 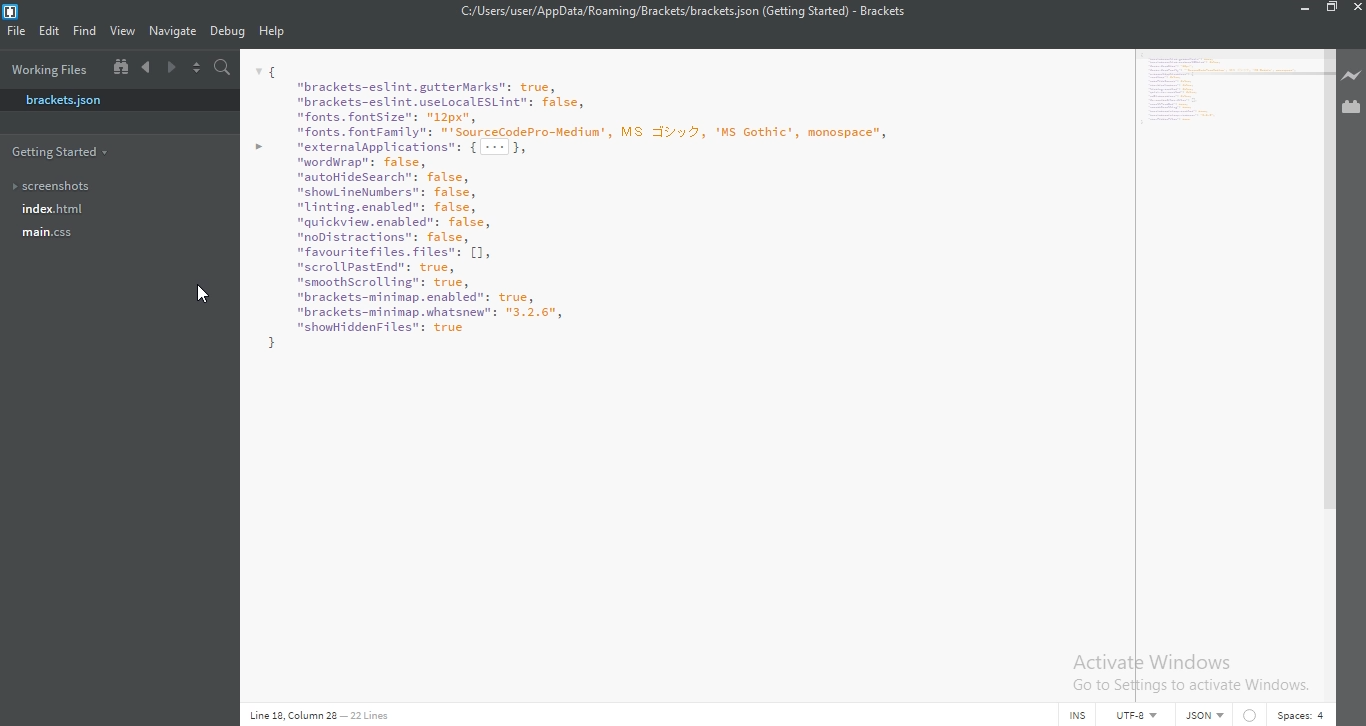 What do you see at coordinates (1353, 109) in the screenshot?
I see `Extension Manager` at bounding box center [1353, 109].